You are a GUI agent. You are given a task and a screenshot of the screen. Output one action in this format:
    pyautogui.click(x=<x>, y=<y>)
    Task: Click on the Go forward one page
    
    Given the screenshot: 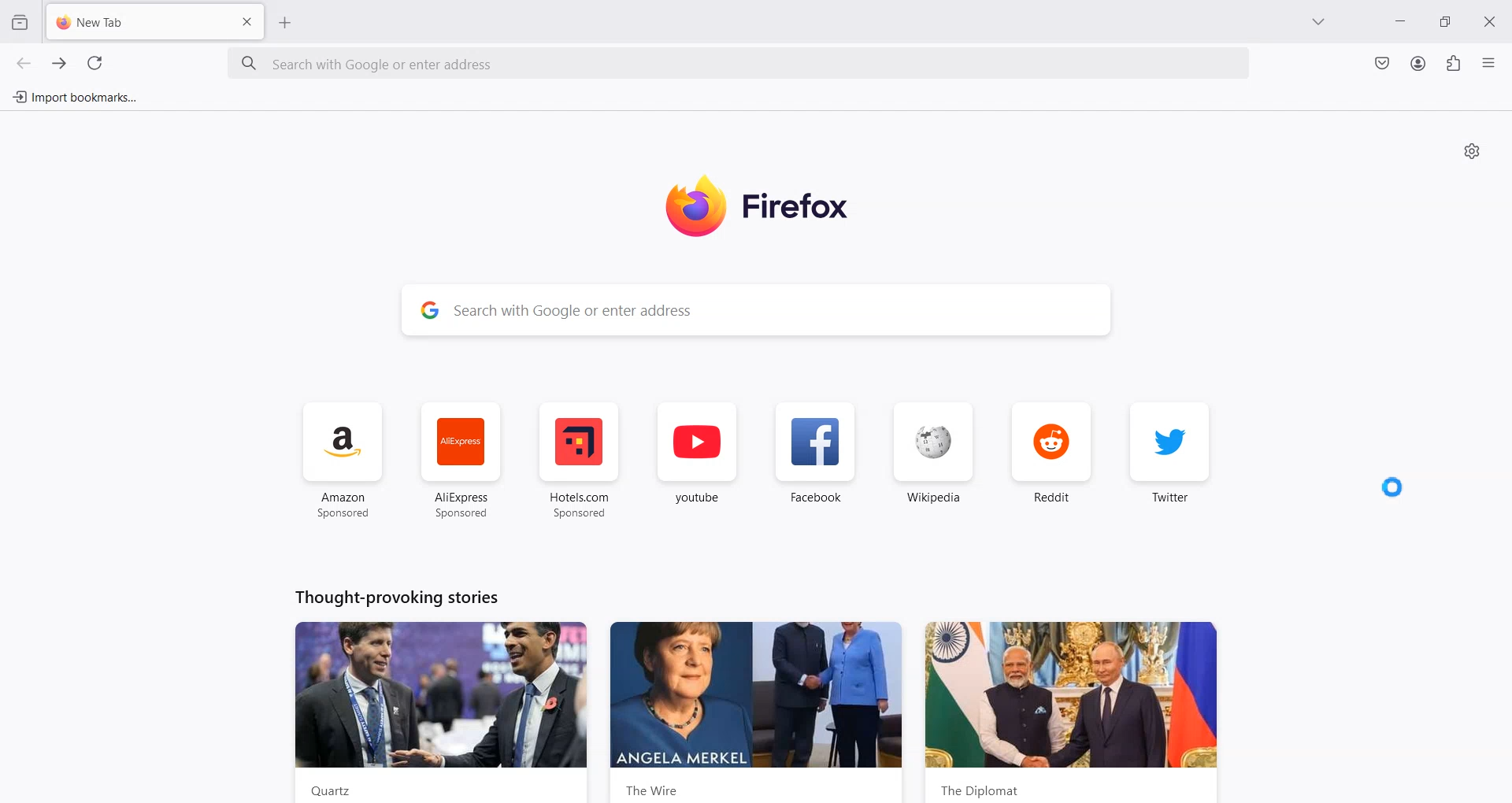 What is the action you would take?
    pyautogui.click(x=57, y=63)
    